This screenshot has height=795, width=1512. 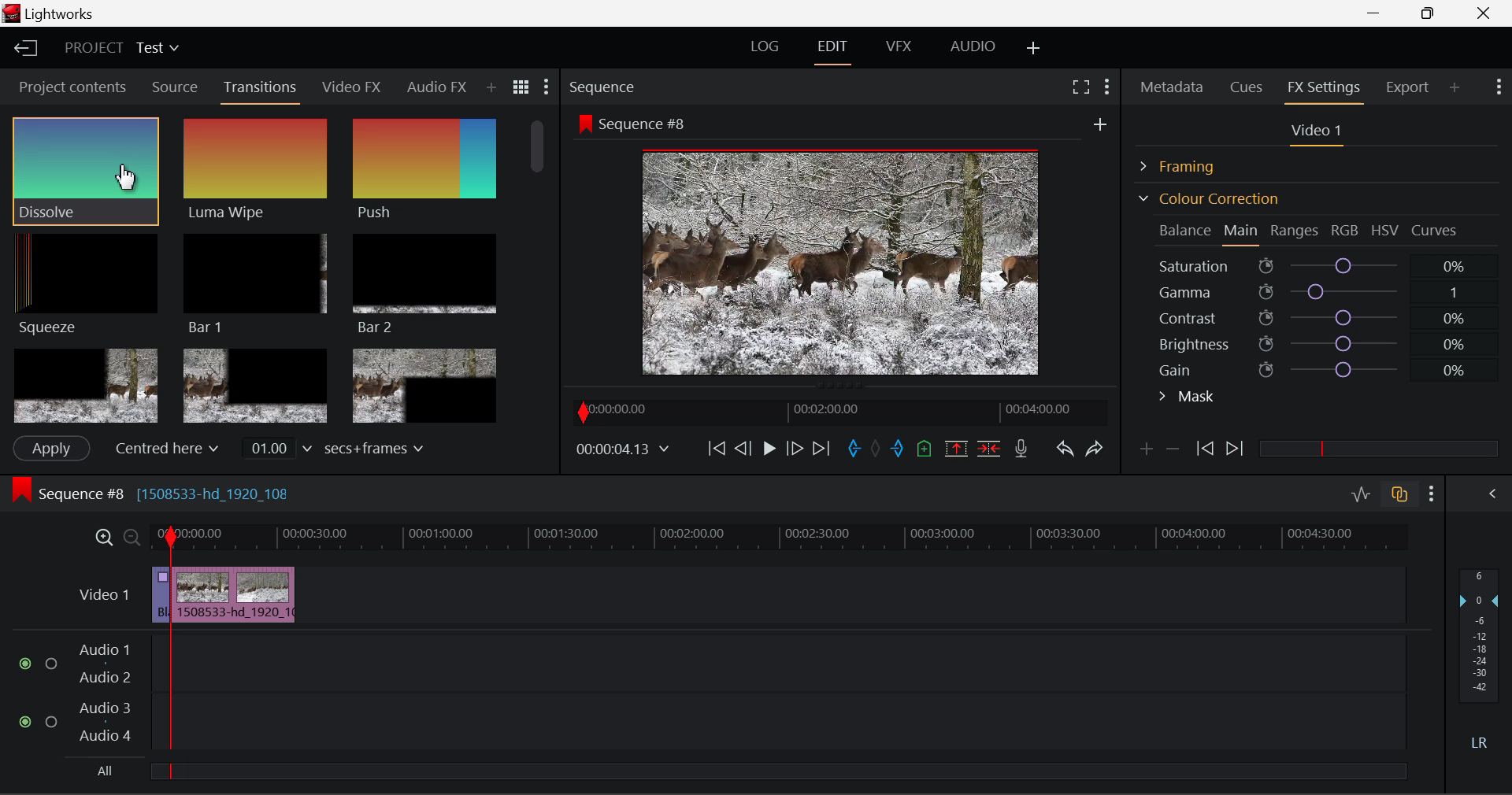 I want to click on HSV, so click(x=1385, y=230).